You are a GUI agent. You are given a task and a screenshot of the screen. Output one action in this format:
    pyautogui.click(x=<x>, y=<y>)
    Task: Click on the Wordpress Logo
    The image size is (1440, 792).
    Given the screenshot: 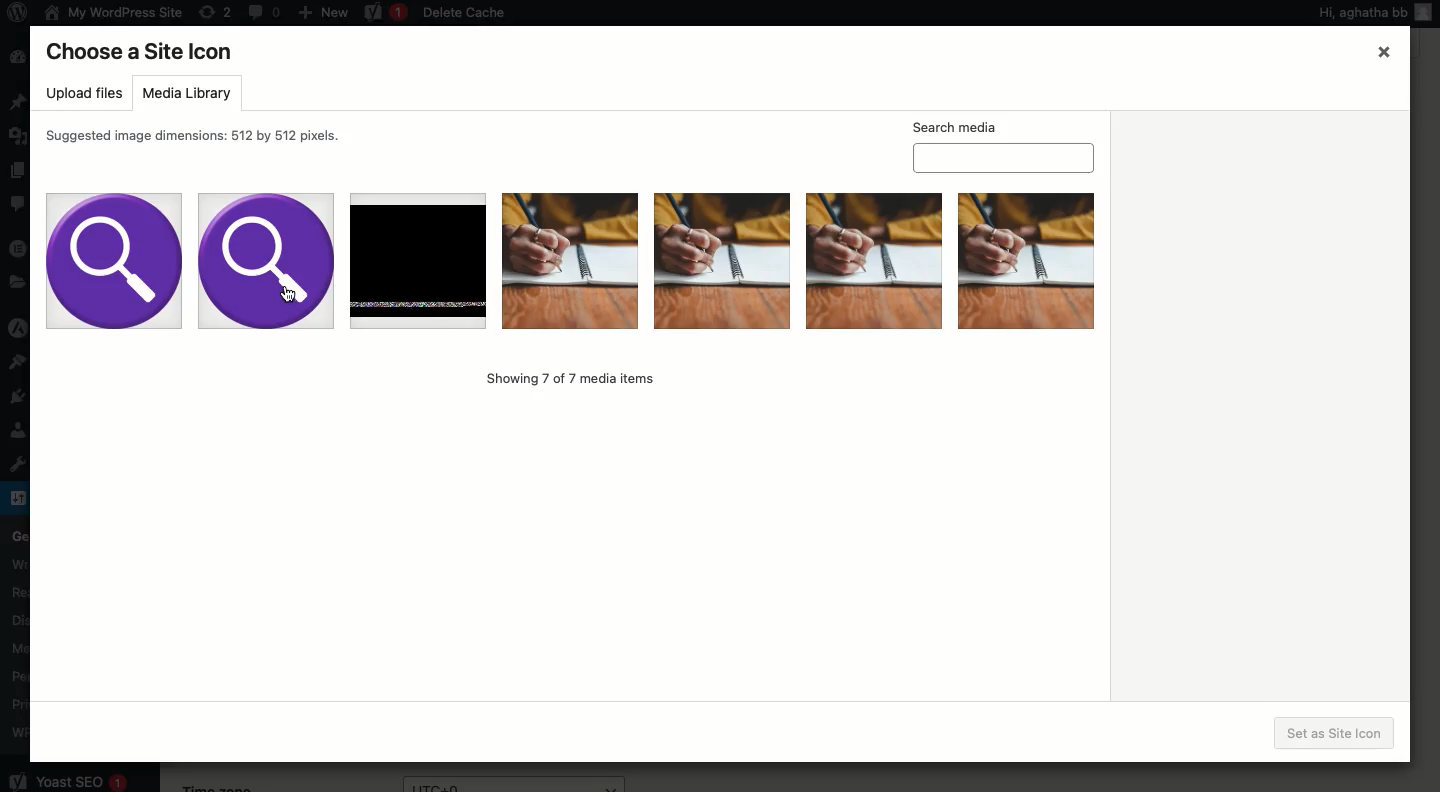 What is the action you would take?
    pyautogui.click(x=15, y=14)
    